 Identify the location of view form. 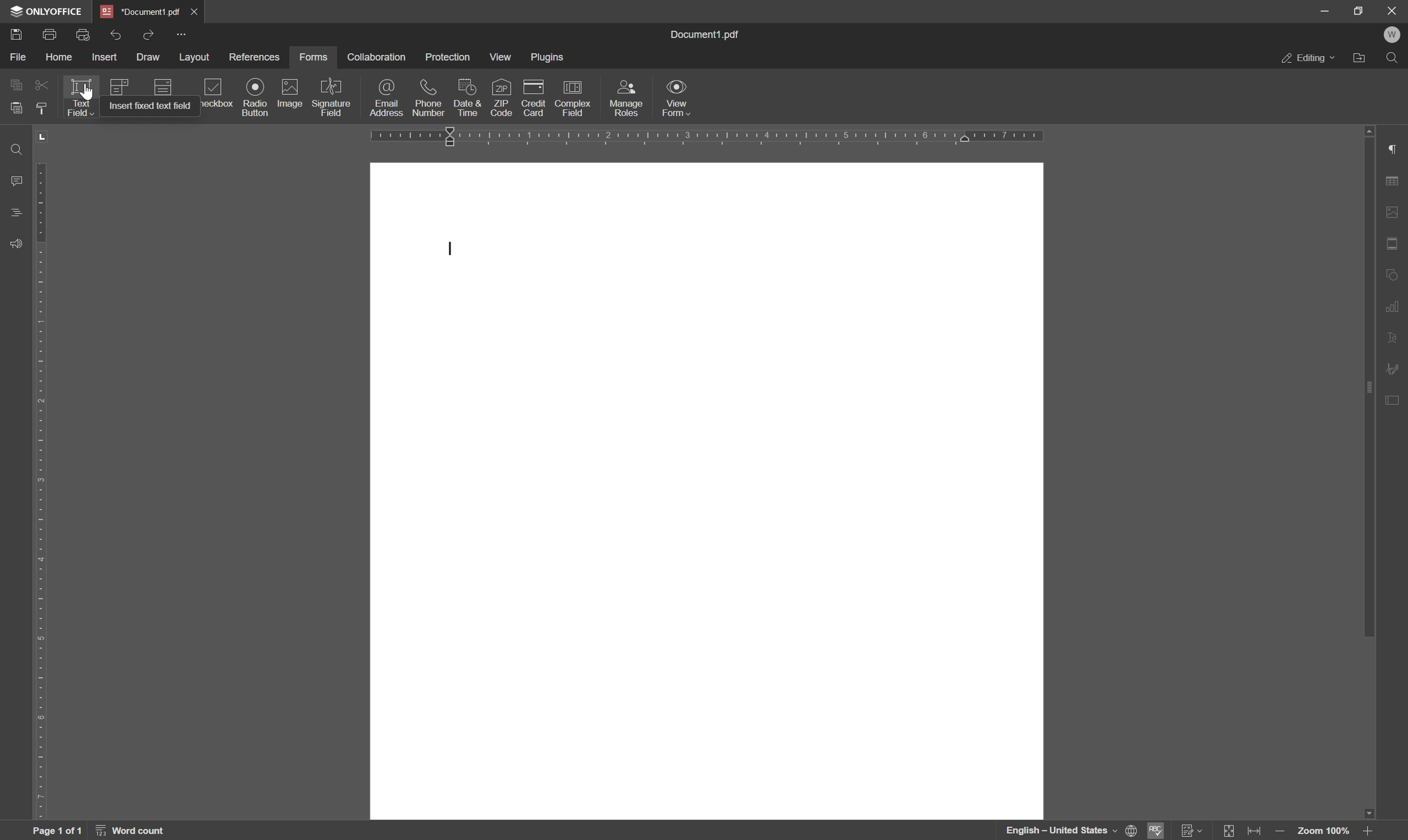
(677, 99).